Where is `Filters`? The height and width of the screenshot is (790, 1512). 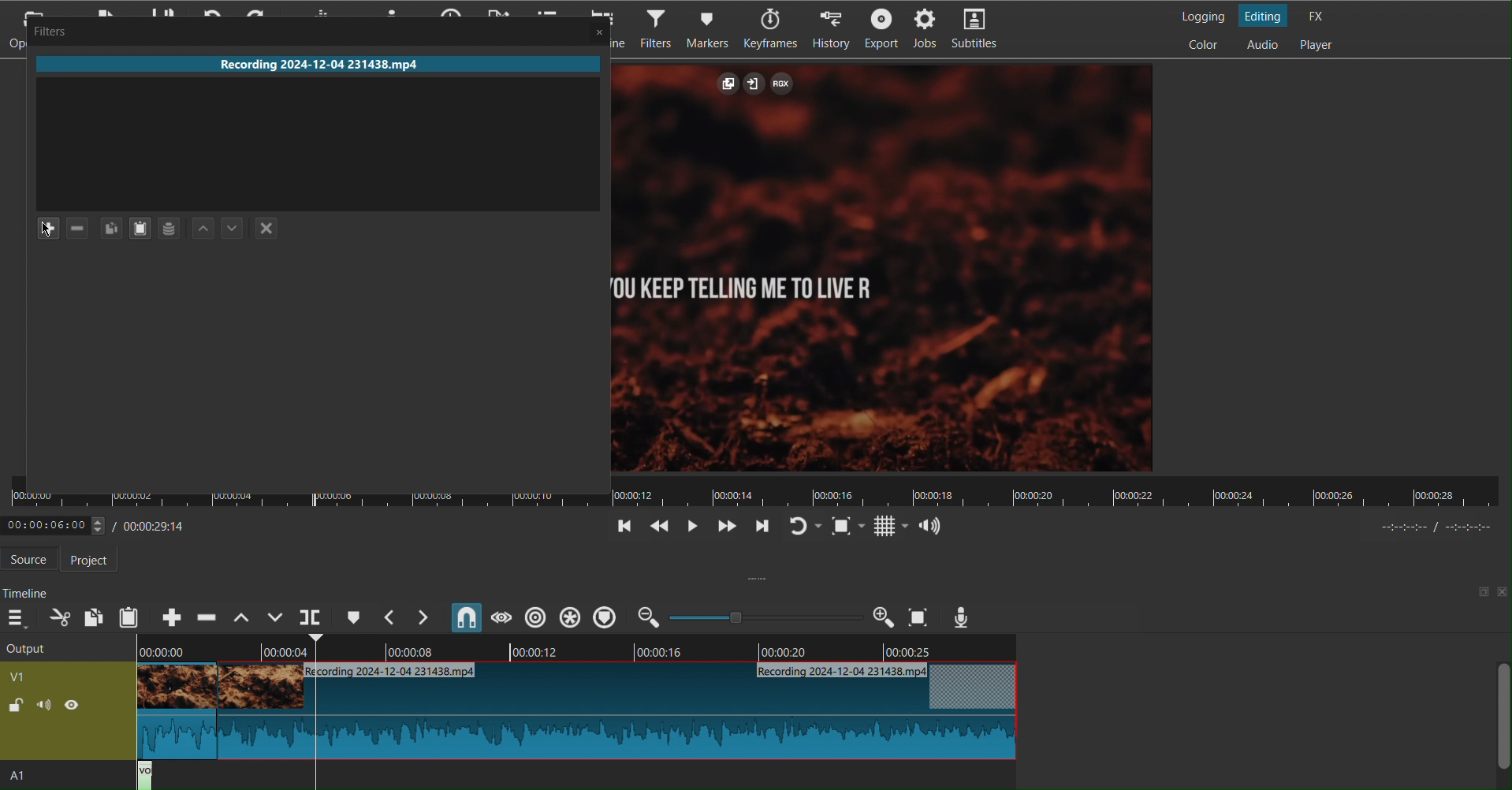 Filters is located at coordinates (51, 30).